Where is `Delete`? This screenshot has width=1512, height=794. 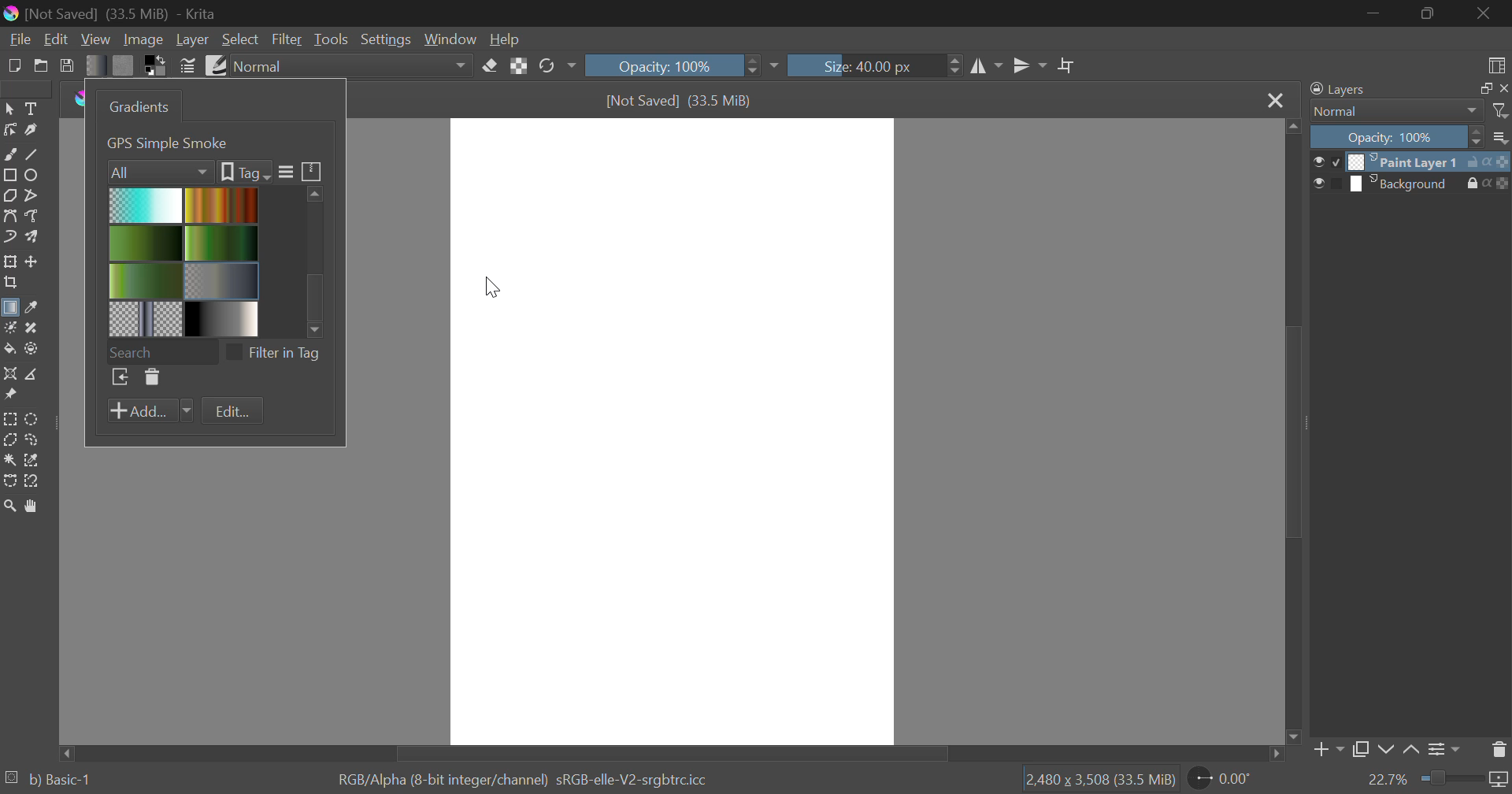 Delete is located at coordinates (150, 378).